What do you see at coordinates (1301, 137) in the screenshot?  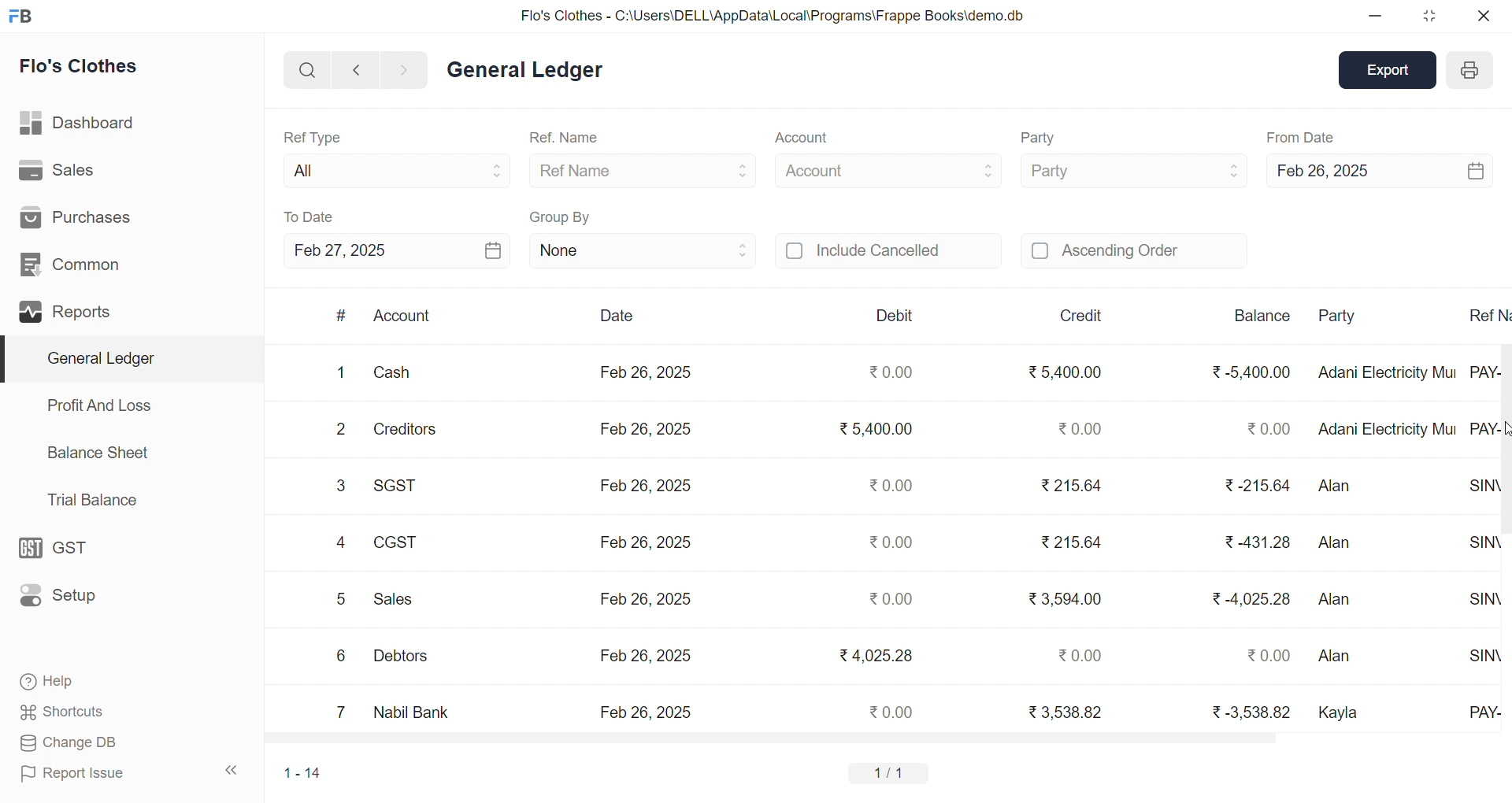 I see `From Date` at bounding box center [1301, 137].